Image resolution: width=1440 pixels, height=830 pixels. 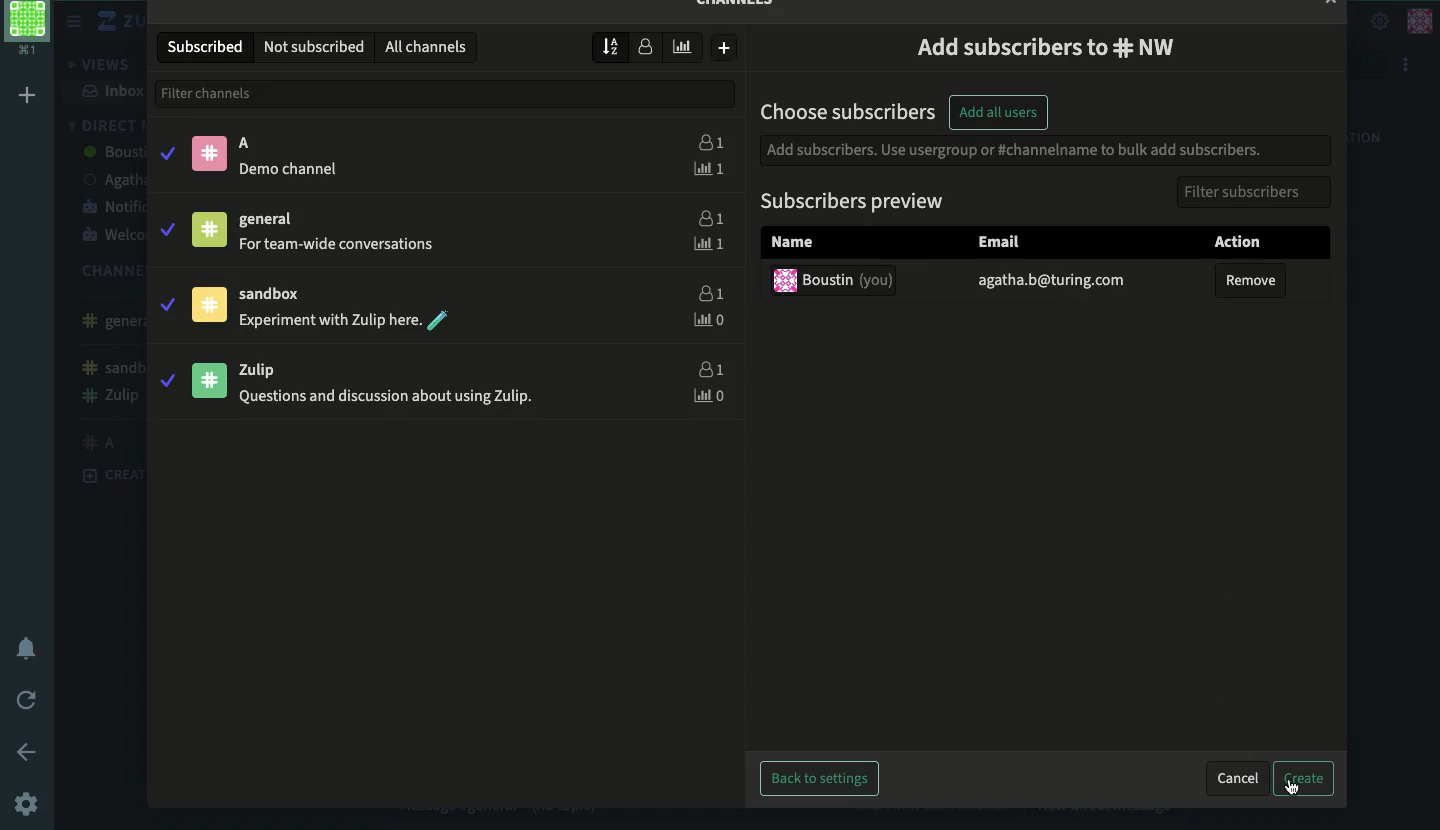 What do you see at coordinates (710, 272) in the screenshot?
I see `users` at bounding box center [710, 272].